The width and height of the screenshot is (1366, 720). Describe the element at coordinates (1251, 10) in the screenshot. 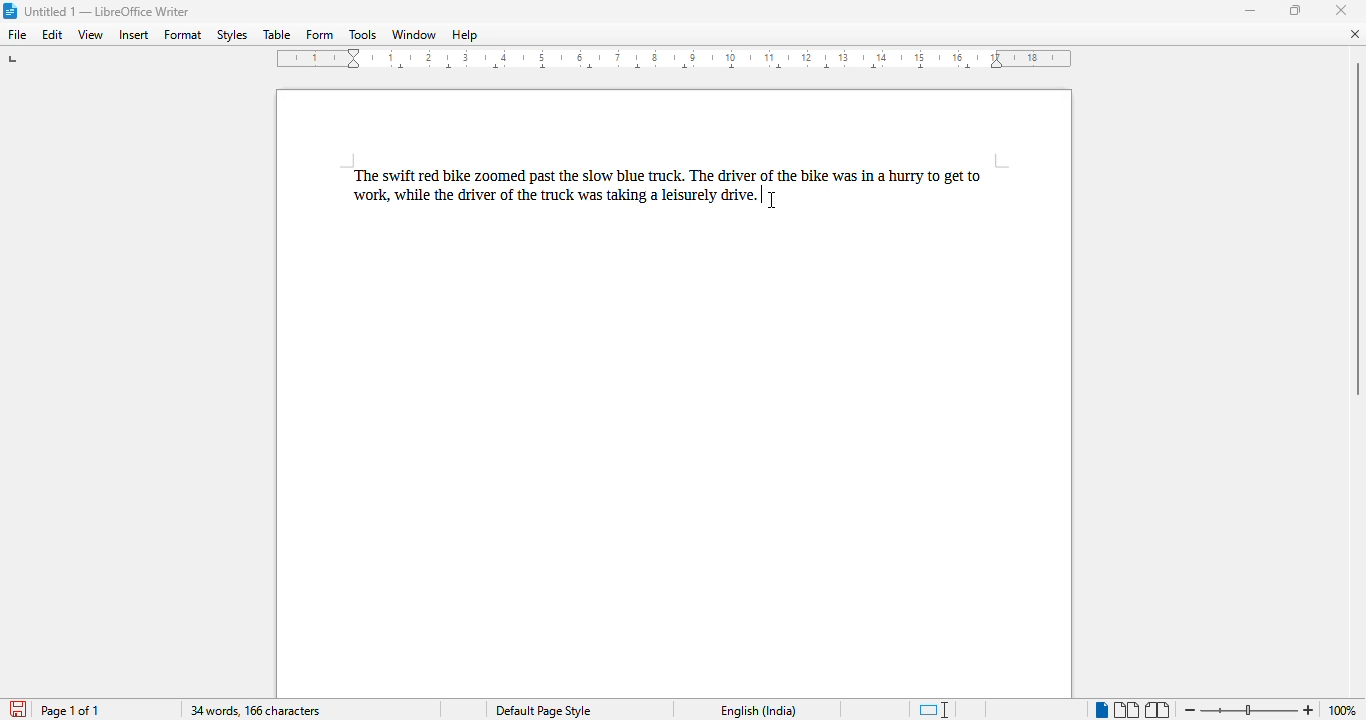

I see `minimize` at that location.